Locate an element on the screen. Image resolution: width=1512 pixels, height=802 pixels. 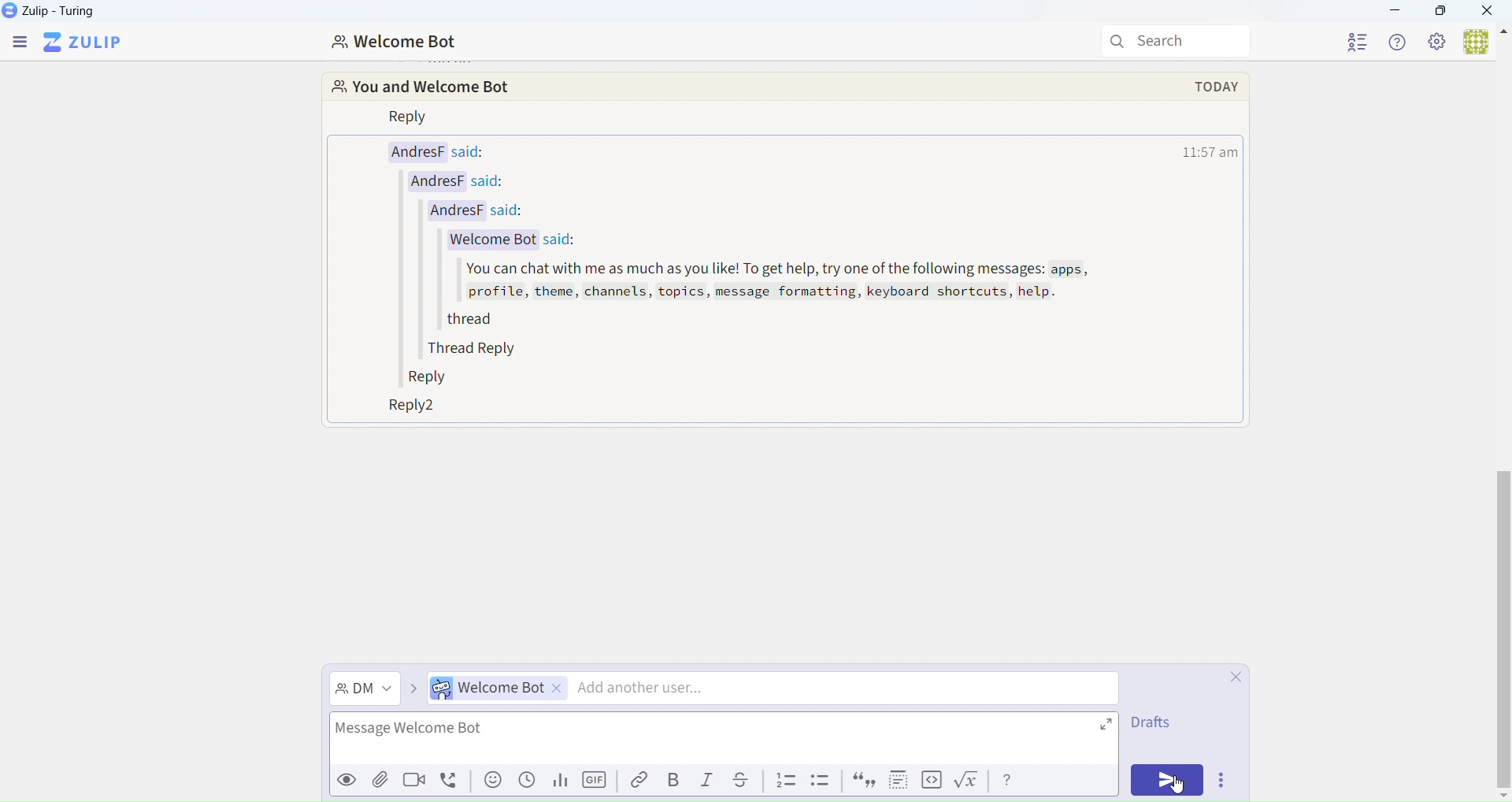
quote is located at coordinates (863, 782).